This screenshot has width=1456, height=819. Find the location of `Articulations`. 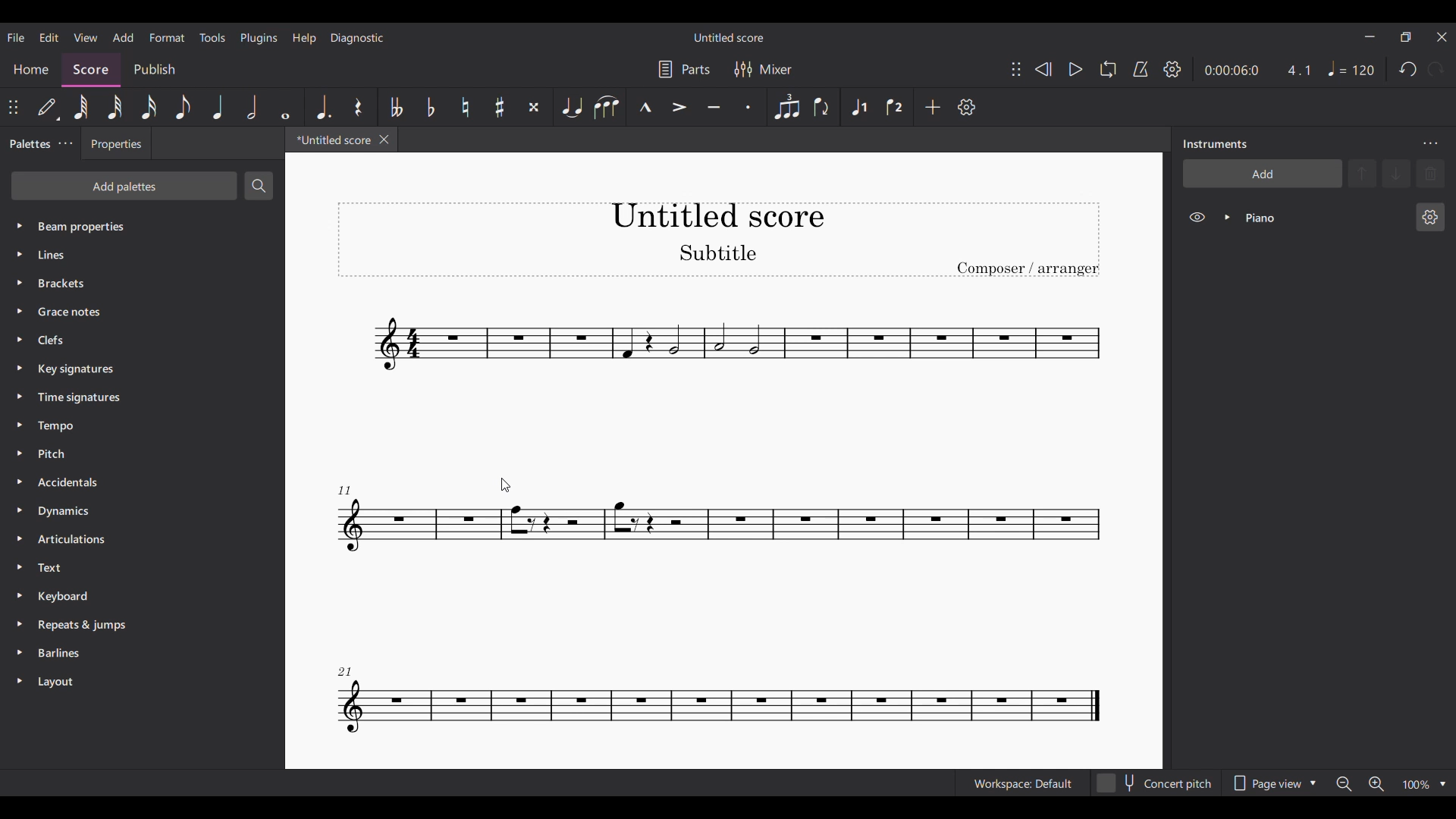

Articulations is located at coordinates (127, 539).